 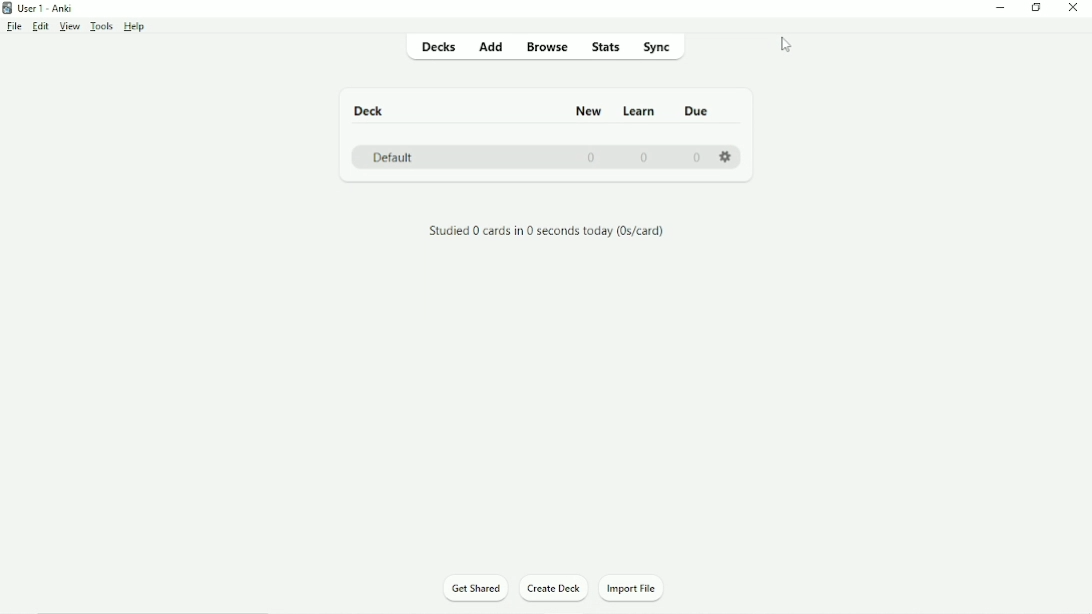 I want to click on Default, so click(x=392, y=156).